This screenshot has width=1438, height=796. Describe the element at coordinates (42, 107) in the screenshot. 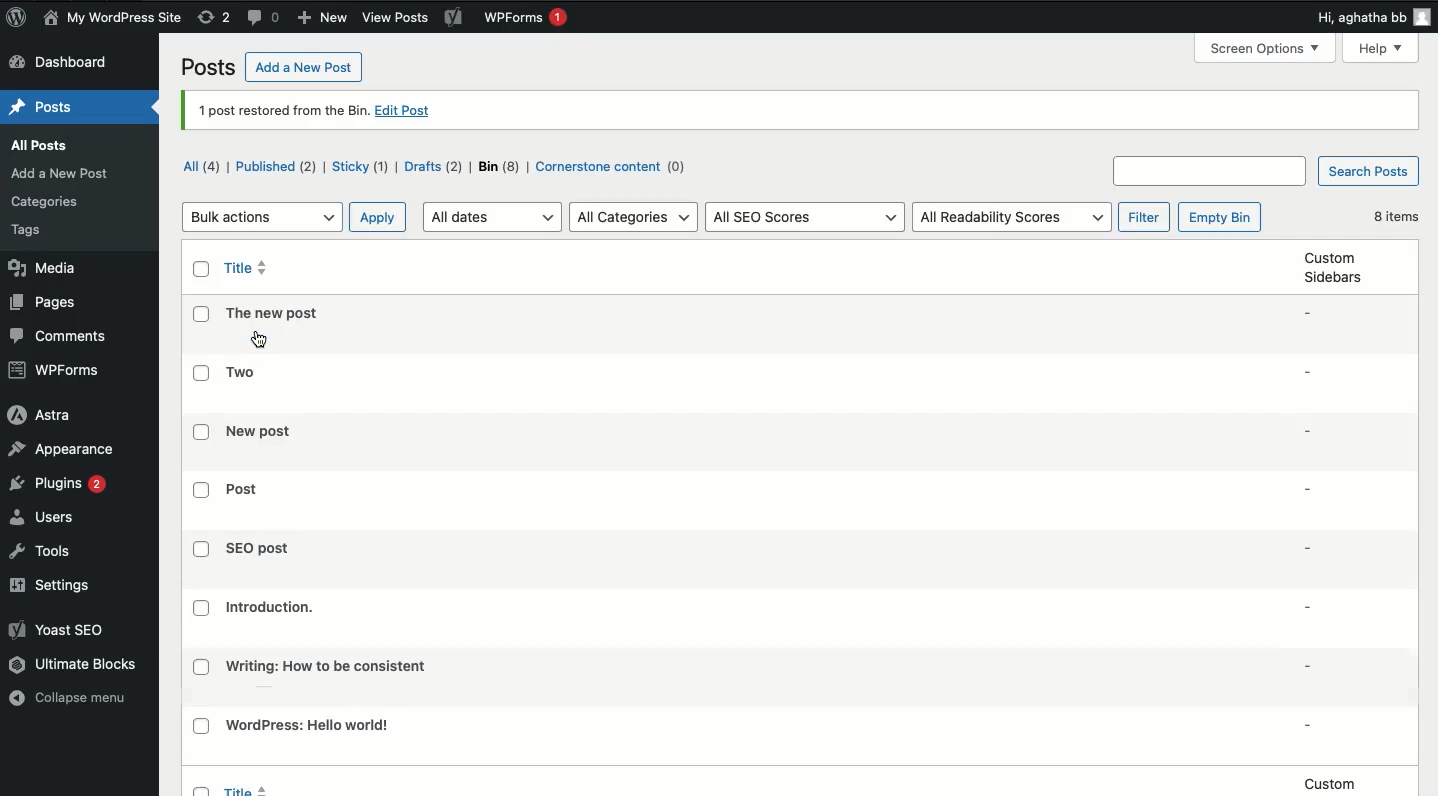

I see `Posts` at that location.